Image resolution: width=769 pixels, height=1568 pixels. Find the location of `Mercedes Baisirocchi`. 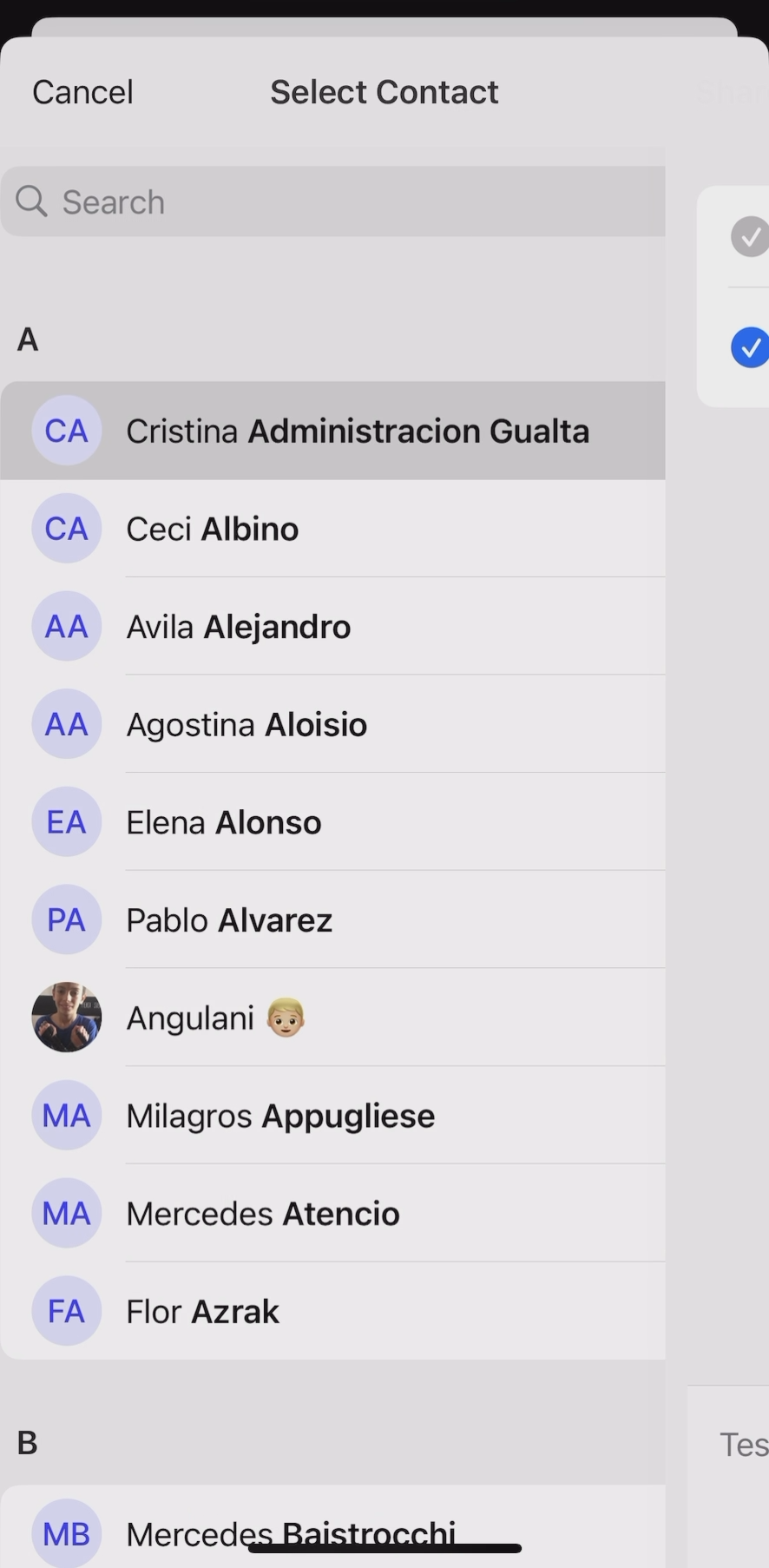

Mercedes Baisirocchi is located at coordinates (266, 1530).